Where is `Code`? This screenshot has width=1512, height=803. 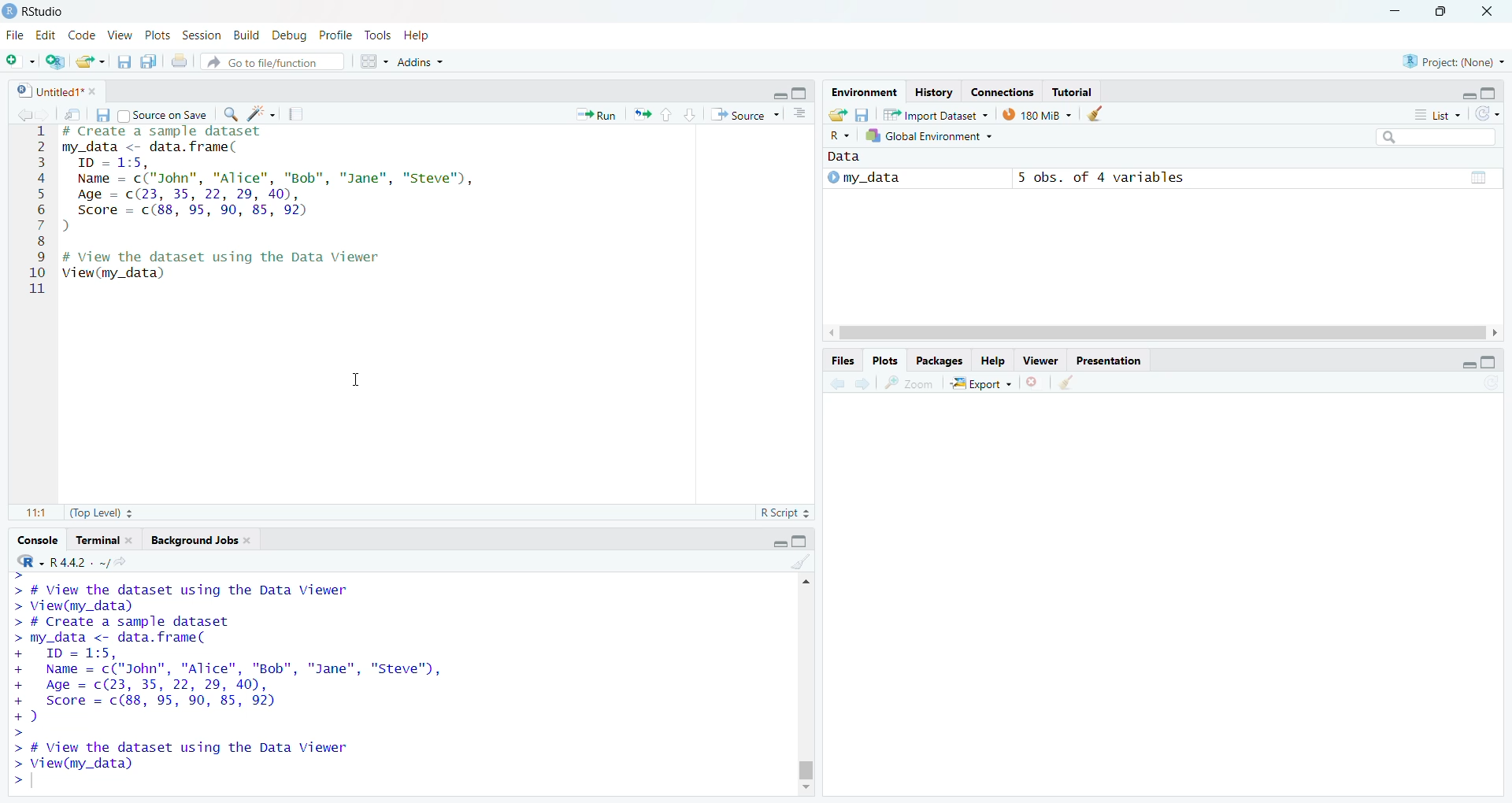
Code is located at coordinates (85, 36).